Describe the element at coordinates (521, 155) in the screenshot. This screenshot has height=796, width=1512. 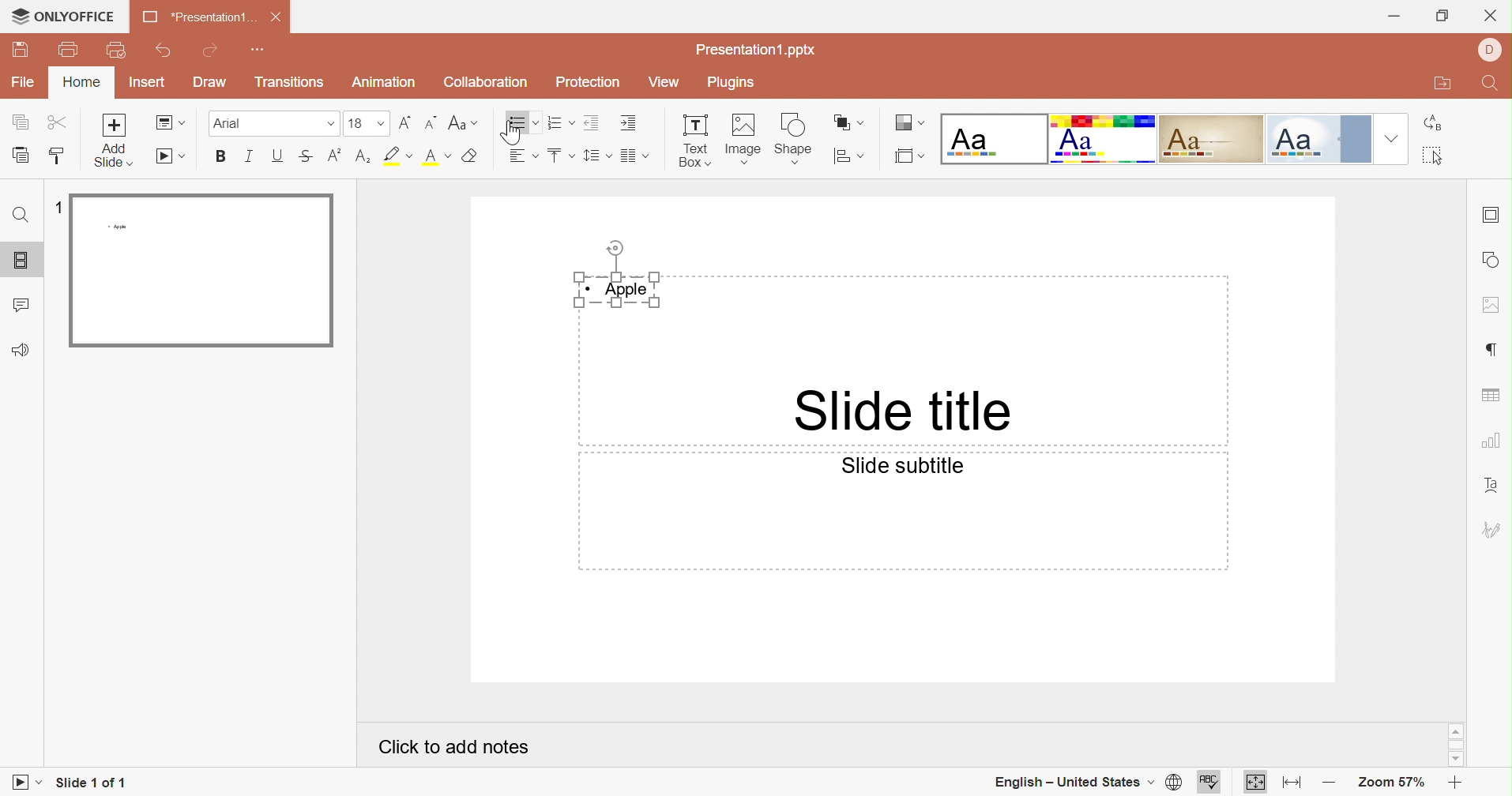
I see `Horizontal align` at that location.